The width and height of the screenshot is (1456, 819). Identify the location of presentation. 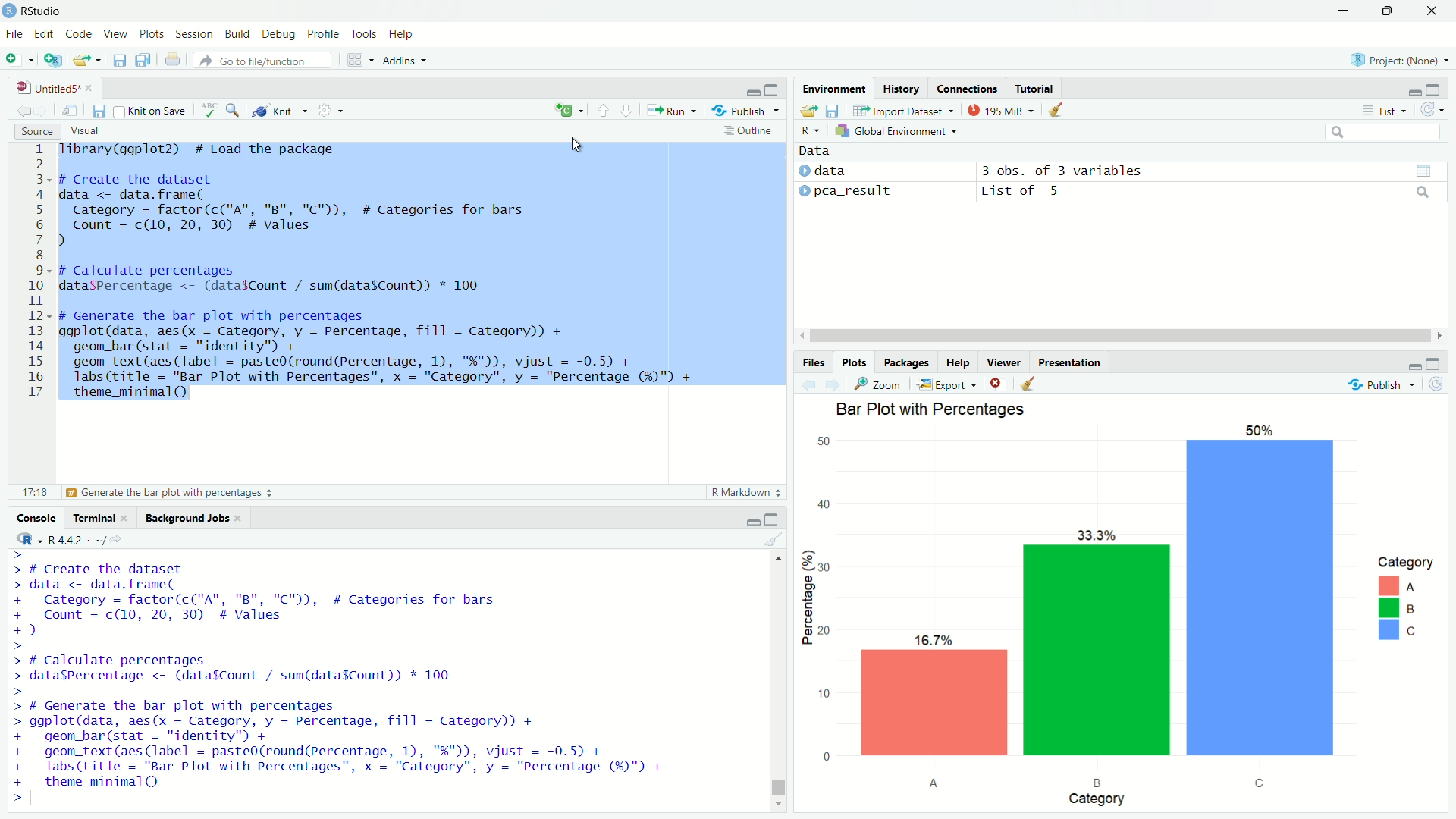
(1071, 362).